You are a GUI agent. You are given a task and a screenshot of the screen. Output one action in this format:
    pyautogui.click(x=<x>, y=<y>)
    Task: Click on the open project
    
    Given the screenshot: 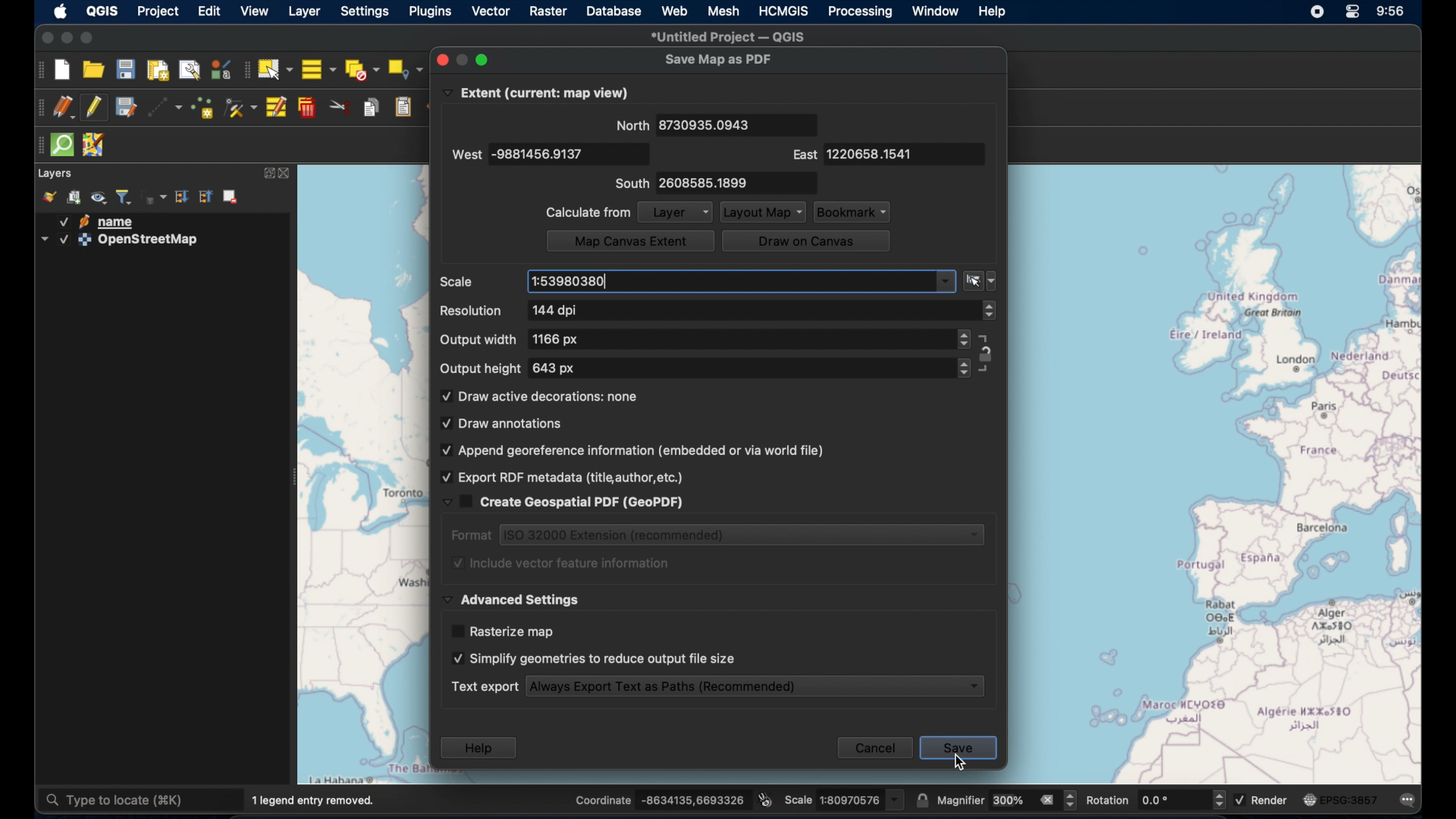 What is the action you would take?
    pyautogui.click(x=93, y=71)
    